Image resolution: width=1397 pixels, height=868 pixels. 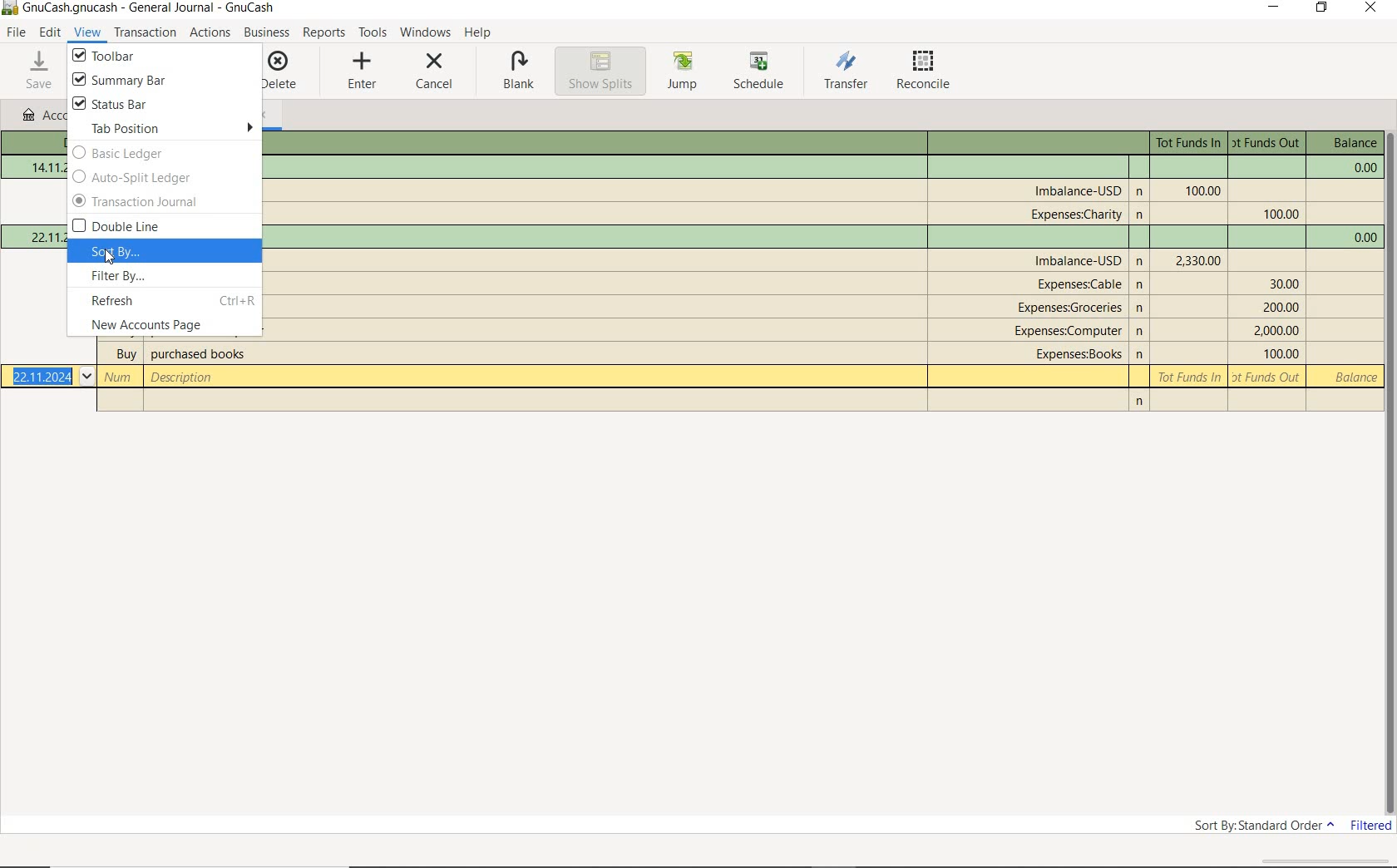 I want to click on n, so click(x=1142, y=330).